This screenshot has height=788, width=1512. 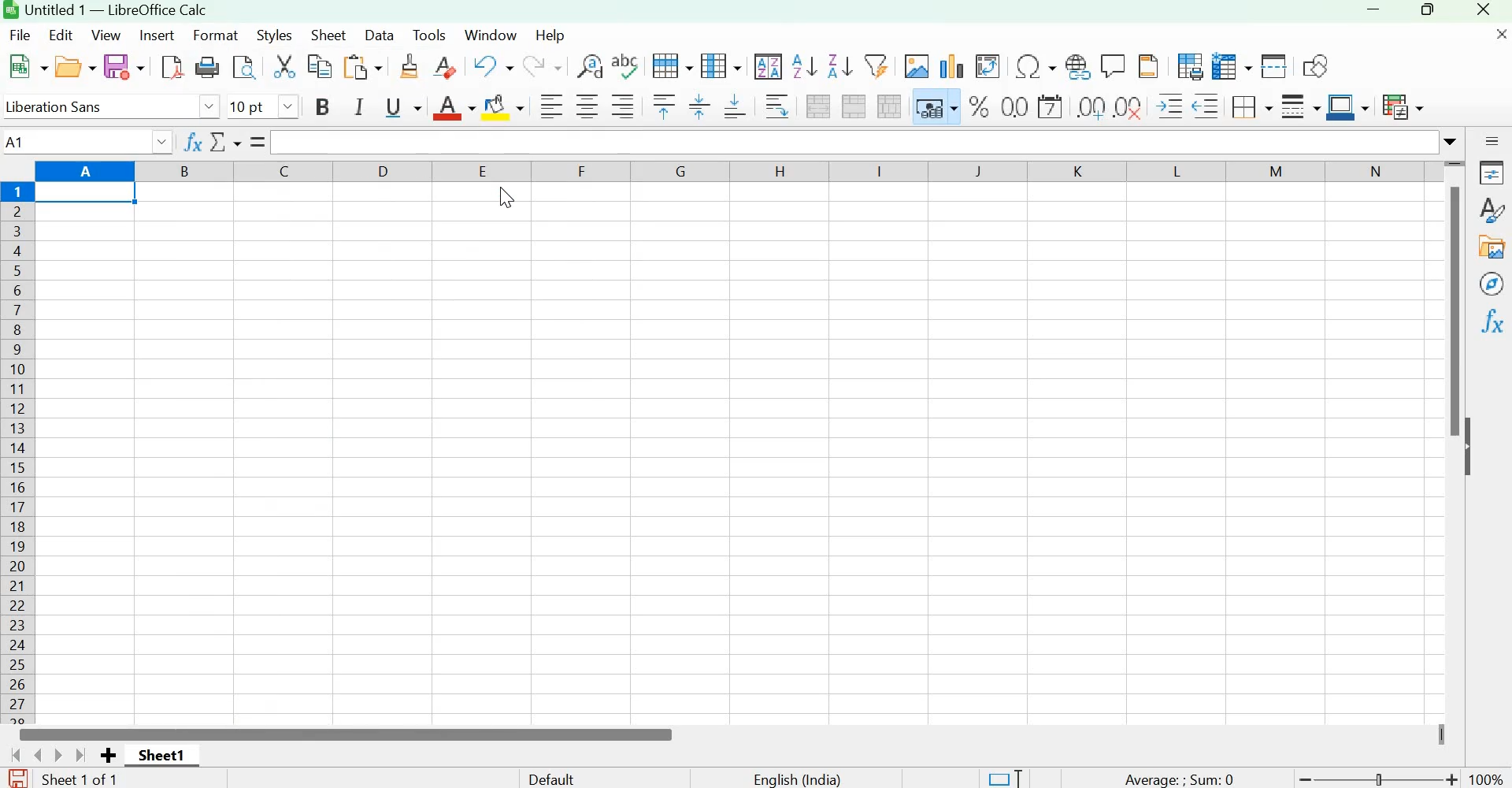 What do you see at coordinates (1250, 106) in the screenshot?
I see `Borders` at bounding box center [1250, 106].